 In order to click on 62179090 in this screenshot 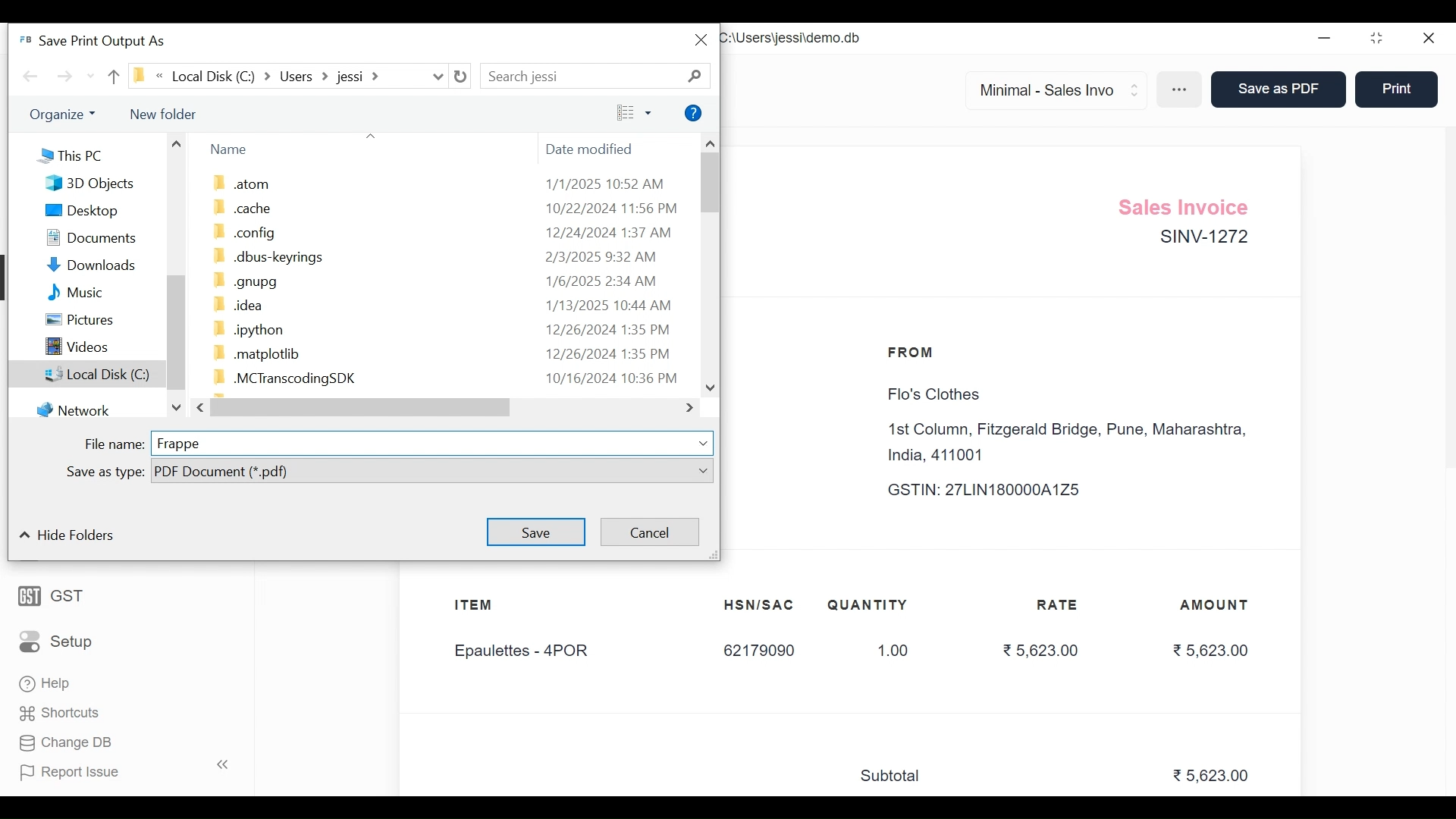, I will do `click(758, 651)`.